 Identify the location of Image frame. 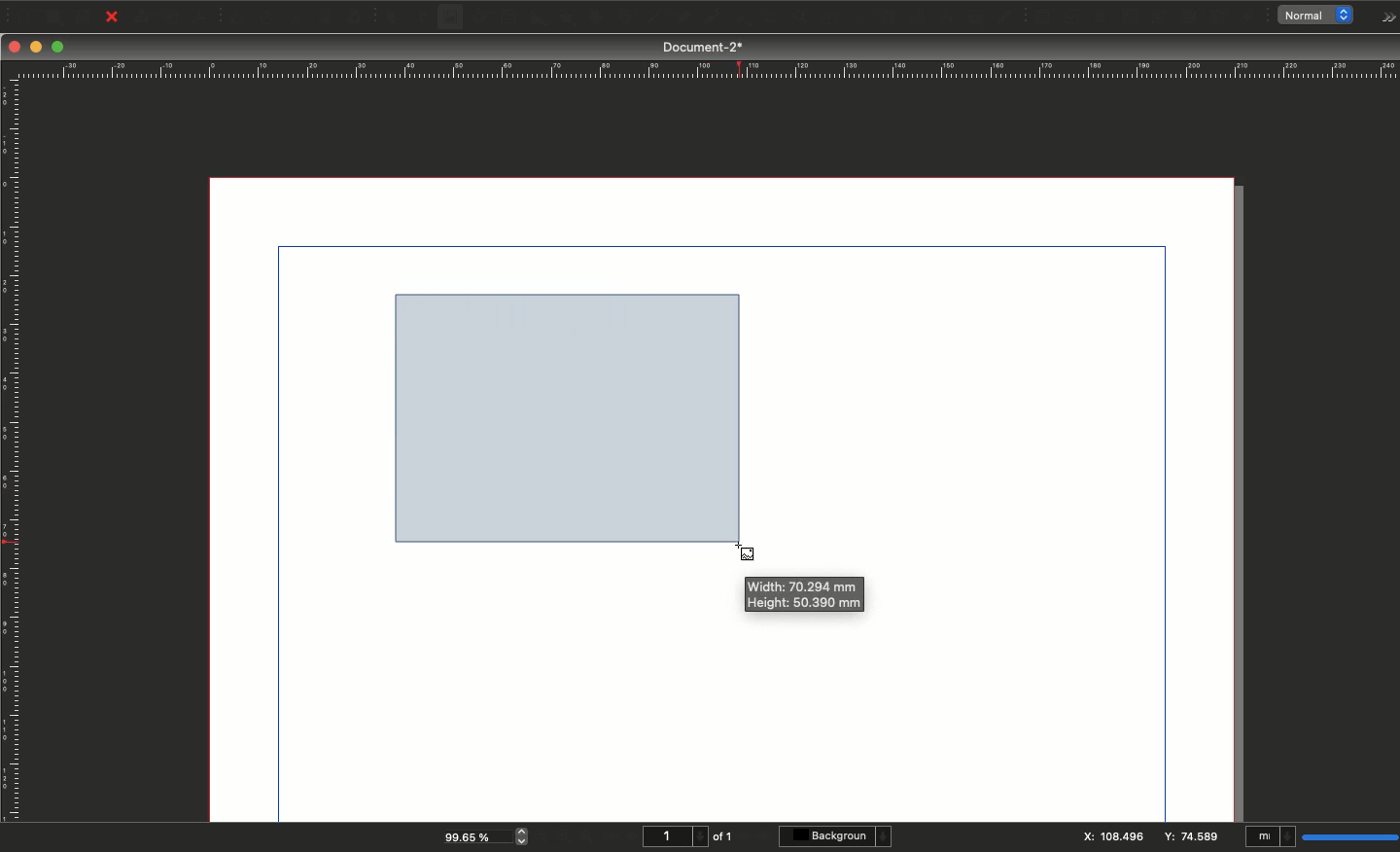
(453, 19).